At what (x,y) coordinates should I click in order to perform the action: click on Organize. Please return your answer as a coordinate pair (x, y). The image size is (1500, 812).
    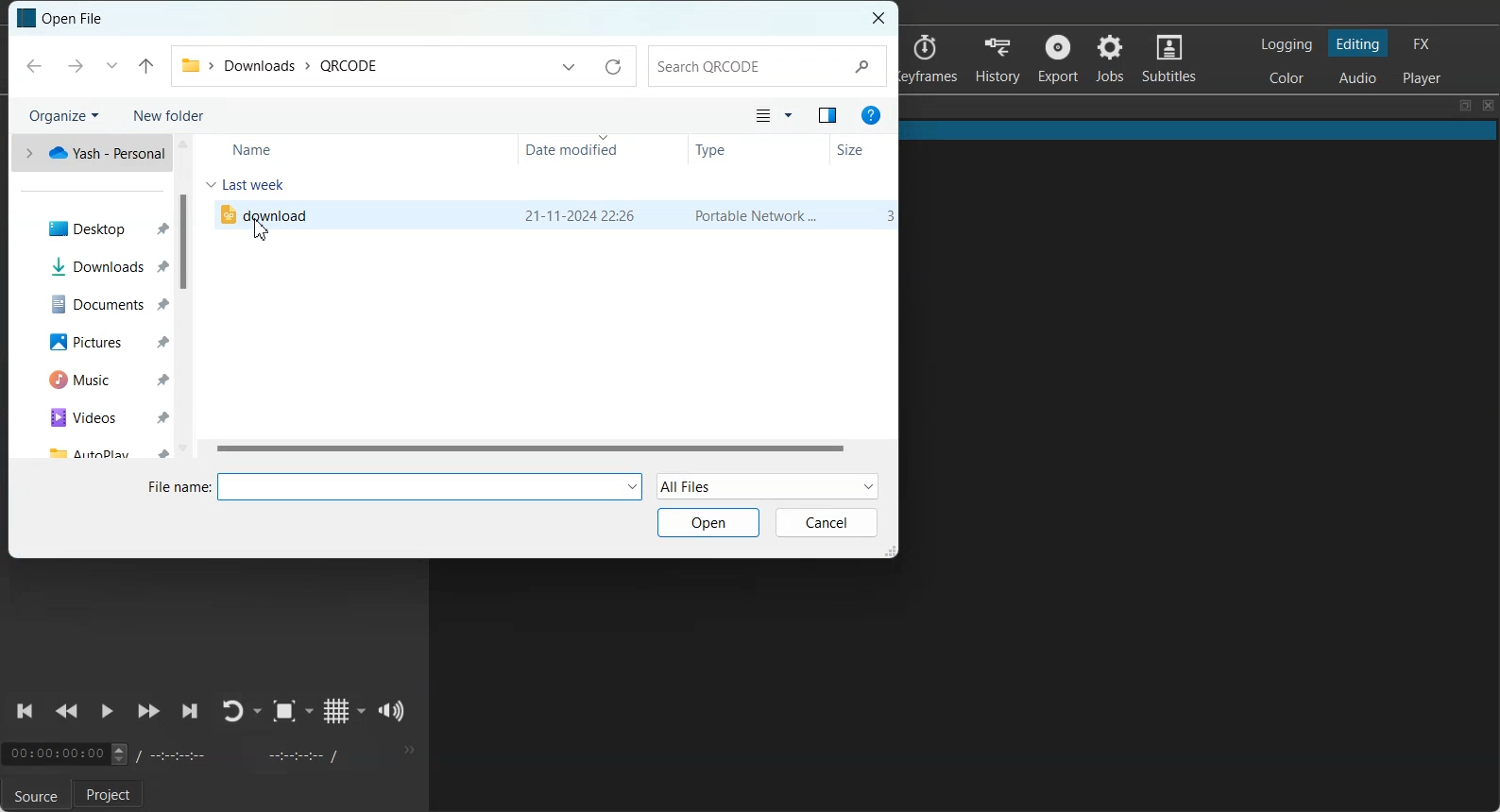
    Looking at the image, I should click on (62, 115).